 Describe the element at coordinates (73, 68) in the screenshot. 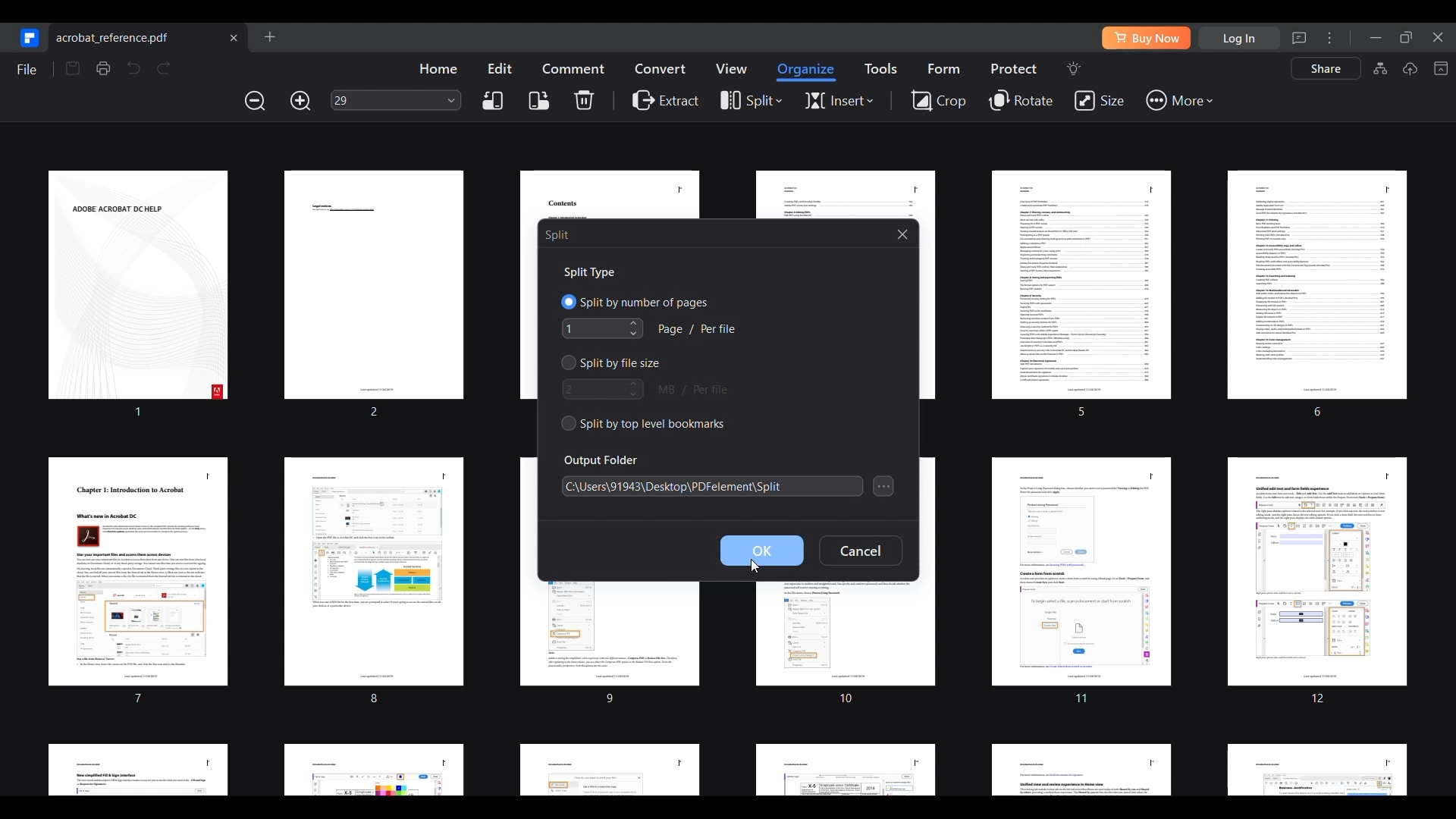

I see `Save` at that location.